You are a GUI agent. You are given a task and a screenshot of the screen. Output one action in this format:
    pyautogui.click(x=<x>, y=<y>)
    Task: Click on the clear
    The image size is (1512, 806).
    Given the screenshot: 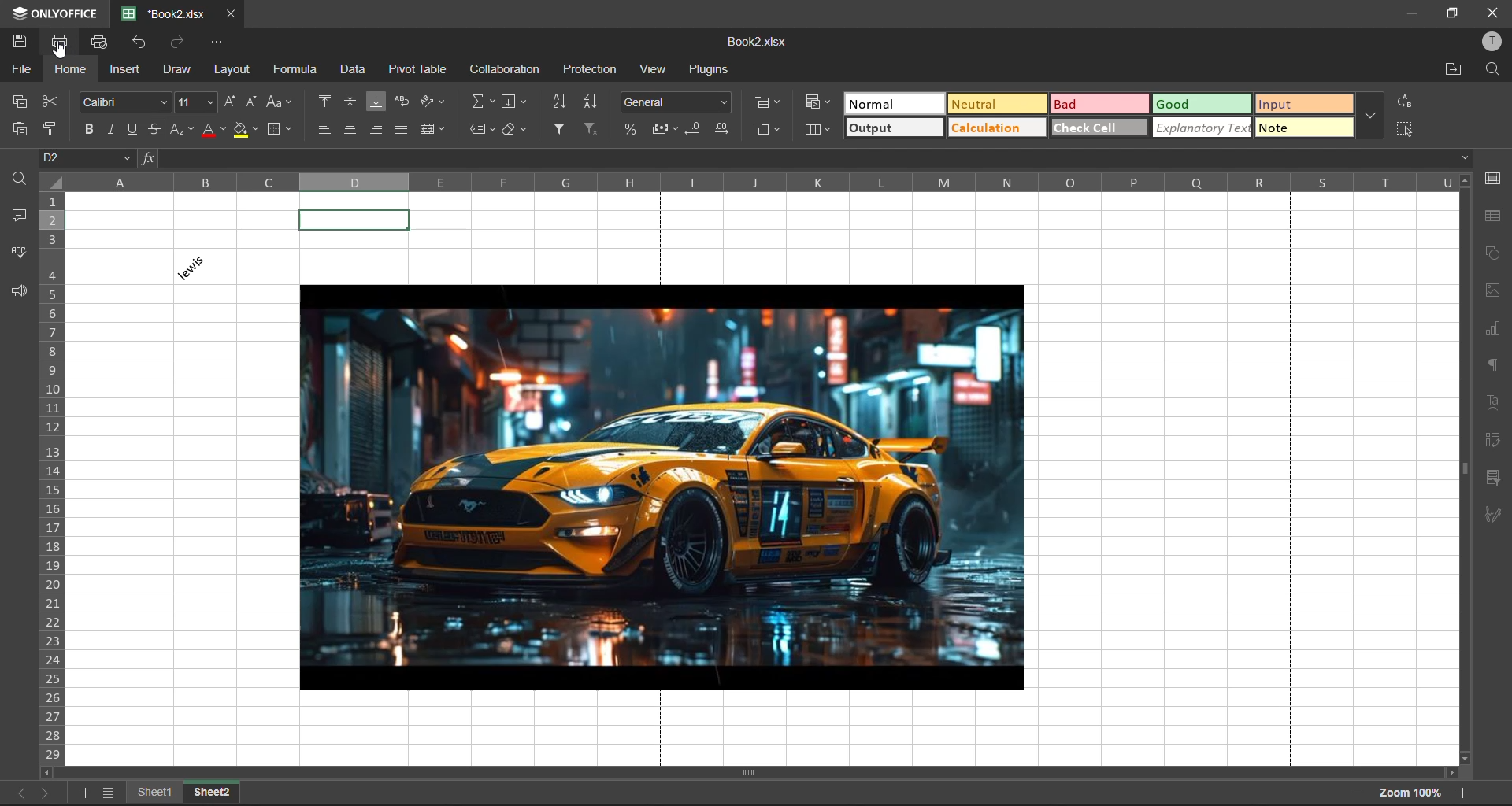 What is the action you would take?
    pyautogui.click(x=517, y=131)
    